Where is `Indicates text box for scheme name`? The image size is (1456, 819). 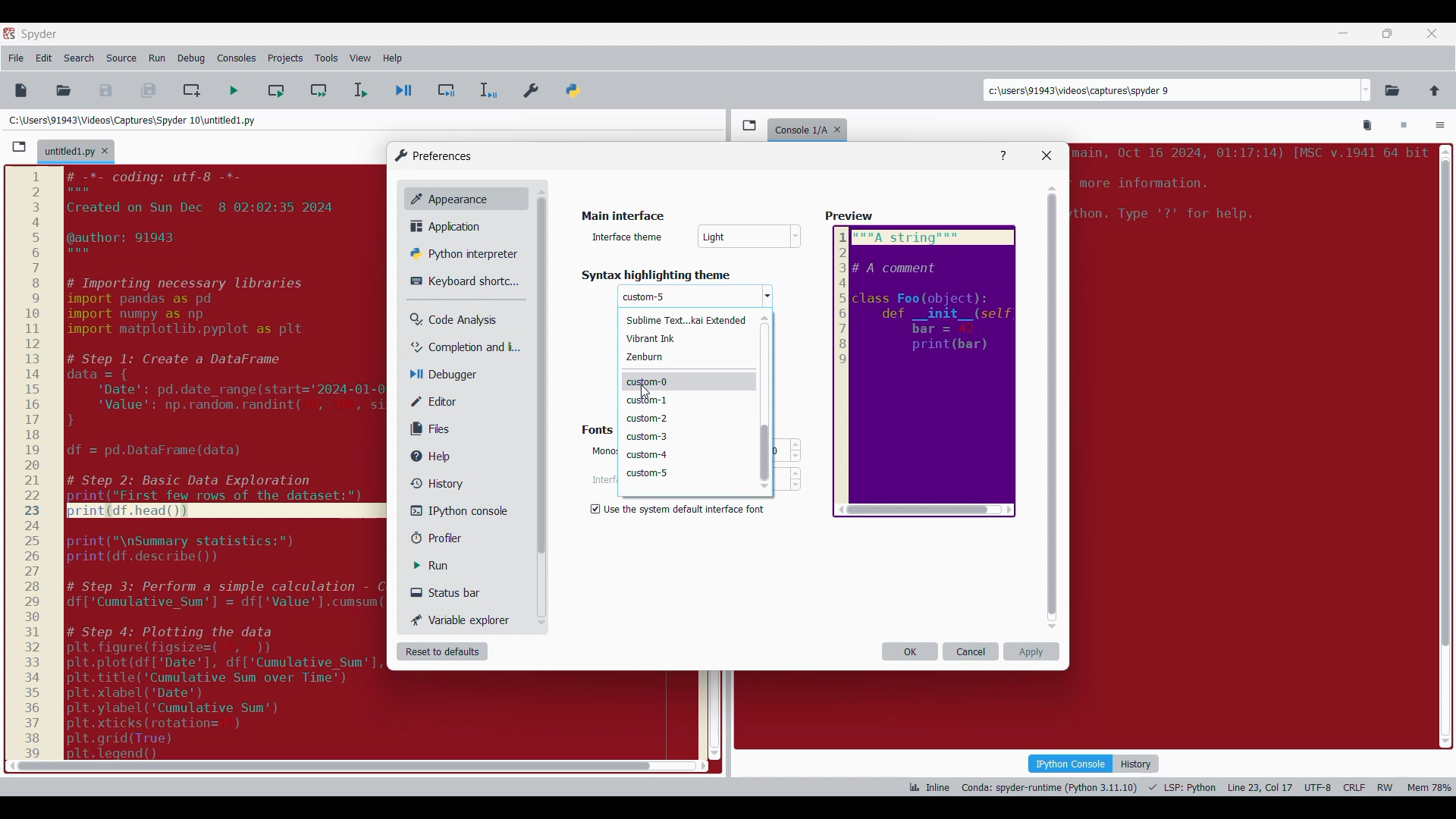 Indicates text box for scheme name is located at coordinates (629, 236).